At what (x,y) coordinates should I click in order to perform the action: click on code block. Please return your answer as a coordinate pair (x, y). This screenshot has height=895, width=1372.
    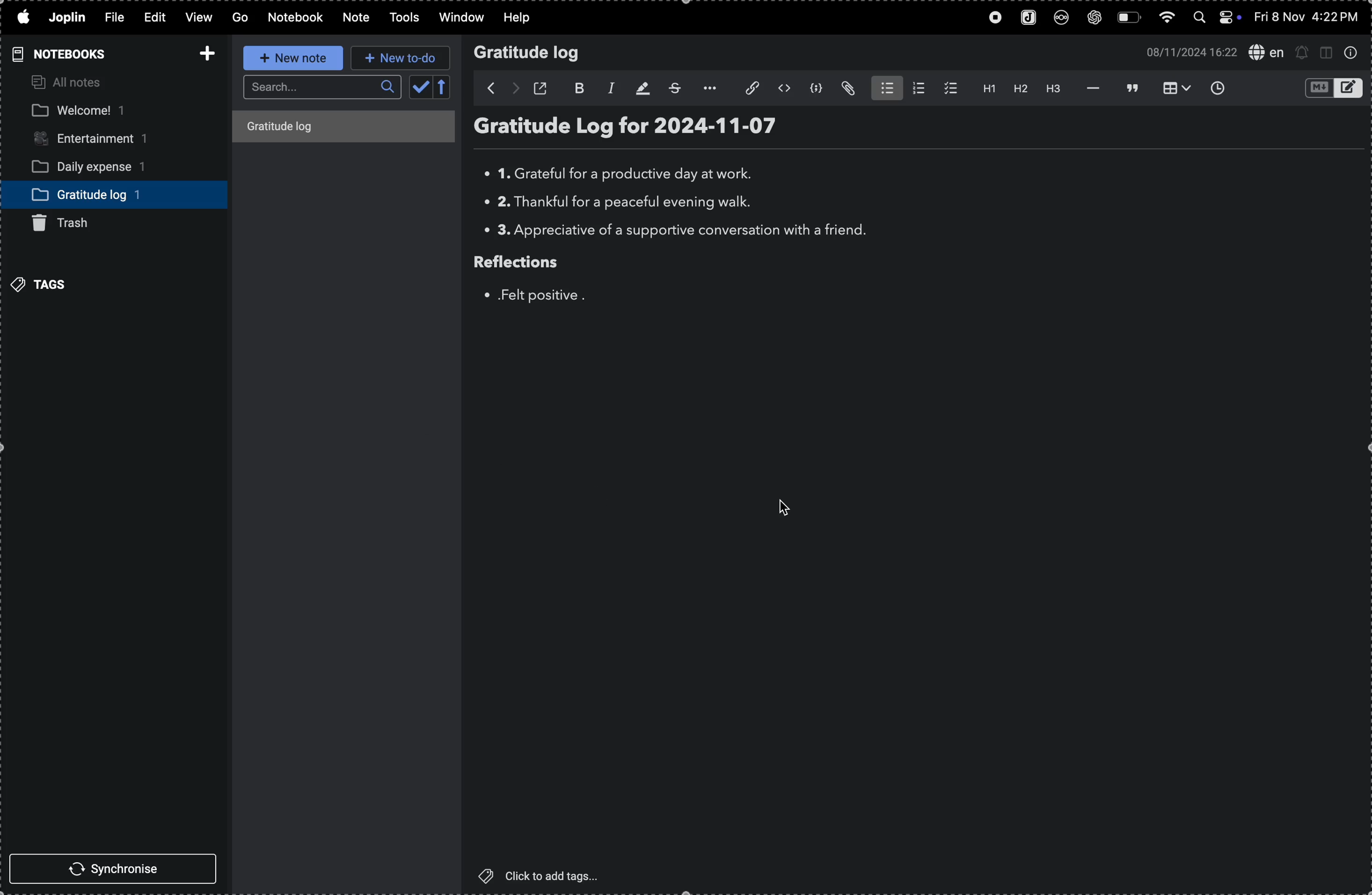
    Looking at the image, I should click on (817, 88).